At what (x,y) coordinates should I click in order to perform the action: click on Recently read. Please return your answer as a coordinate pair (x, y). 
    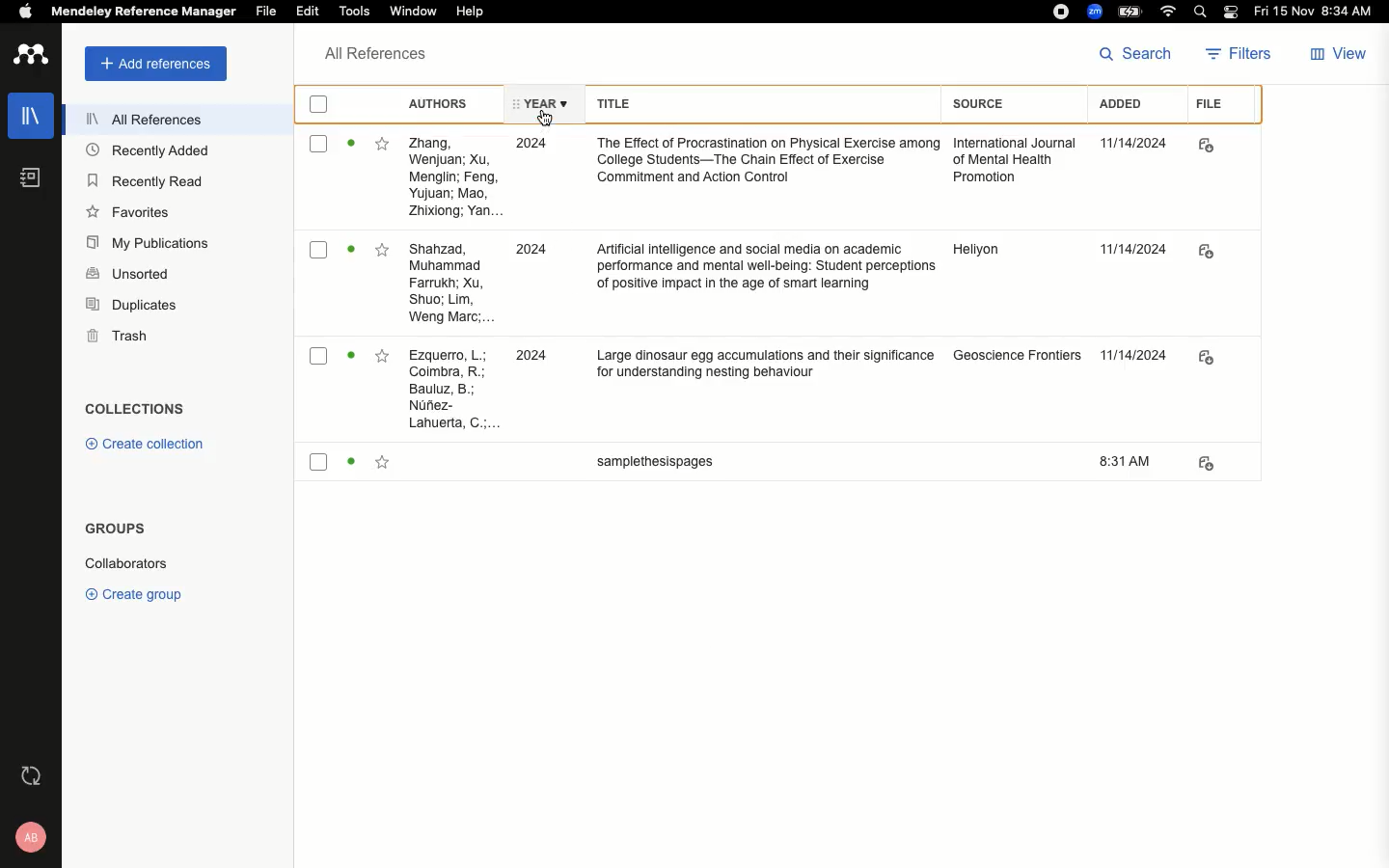
    Looking at the image, I should click on (147, 180).